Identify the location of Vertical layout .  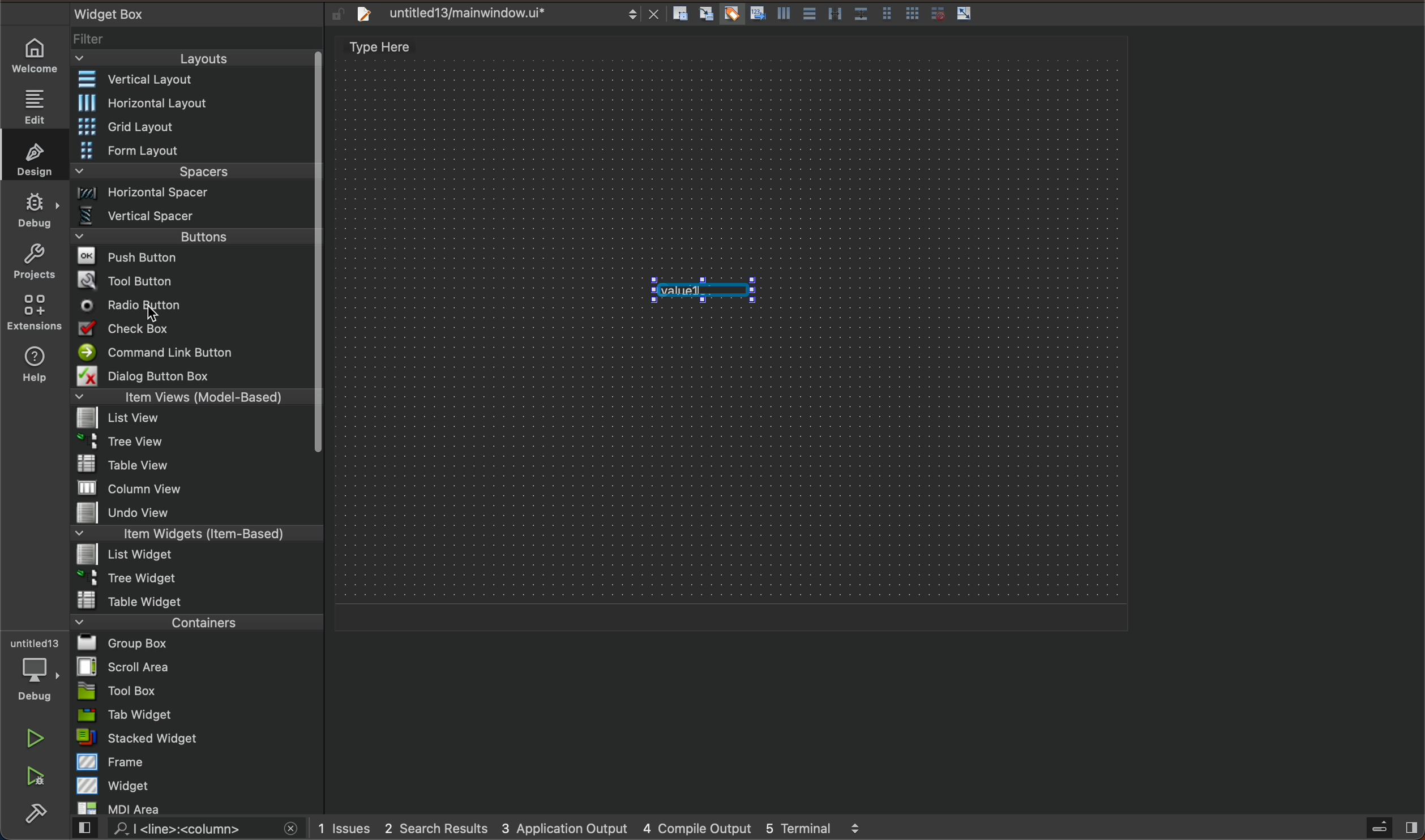
(194, 80).